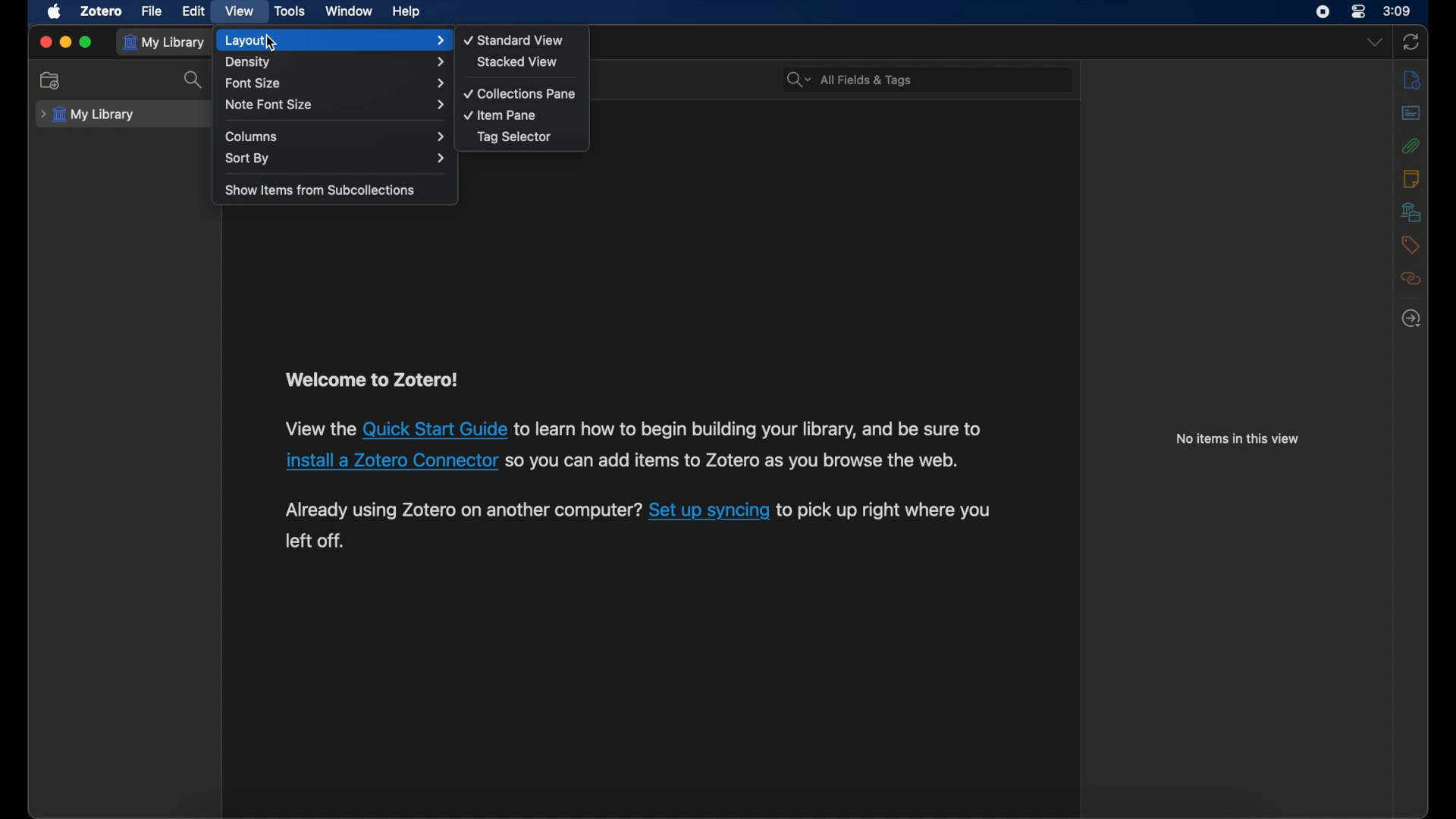 This screenshot has width=1456, height=819. What do you see at coordinates (100, 11) in the screenshot?
I see `zotero` at bounding box center [100, 11].